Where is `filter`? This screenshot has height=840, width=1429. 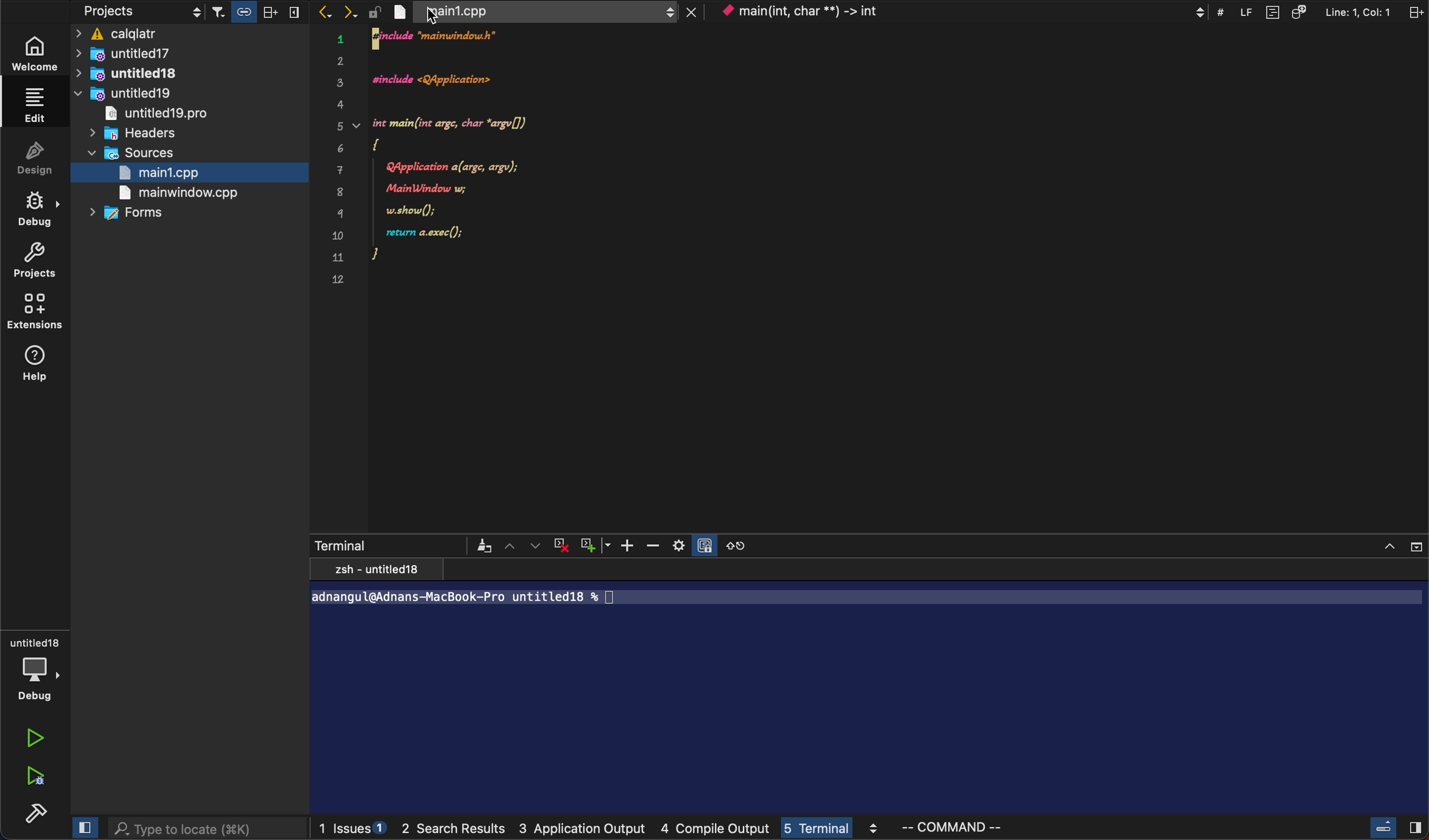
filter is located at coordinates (259, 12).